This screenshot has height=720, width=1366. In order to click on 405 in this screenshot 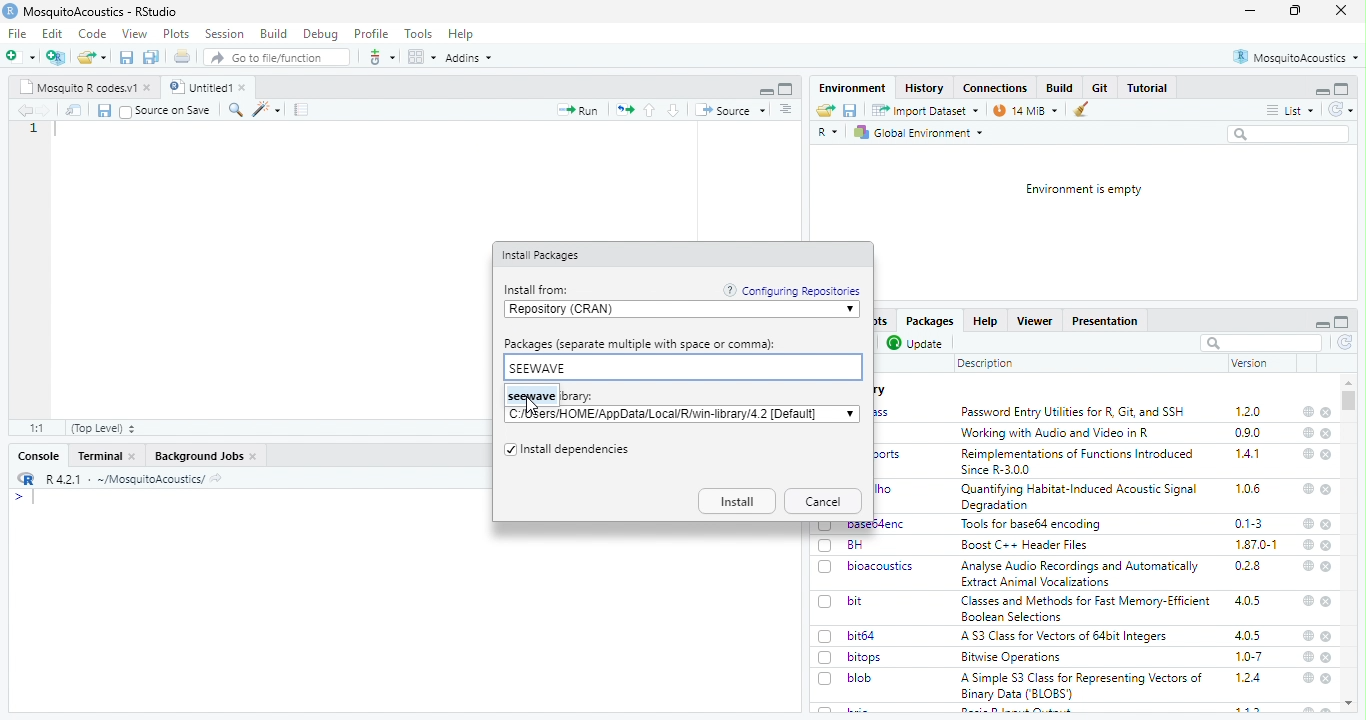, I will do `click(1249, 601)`.